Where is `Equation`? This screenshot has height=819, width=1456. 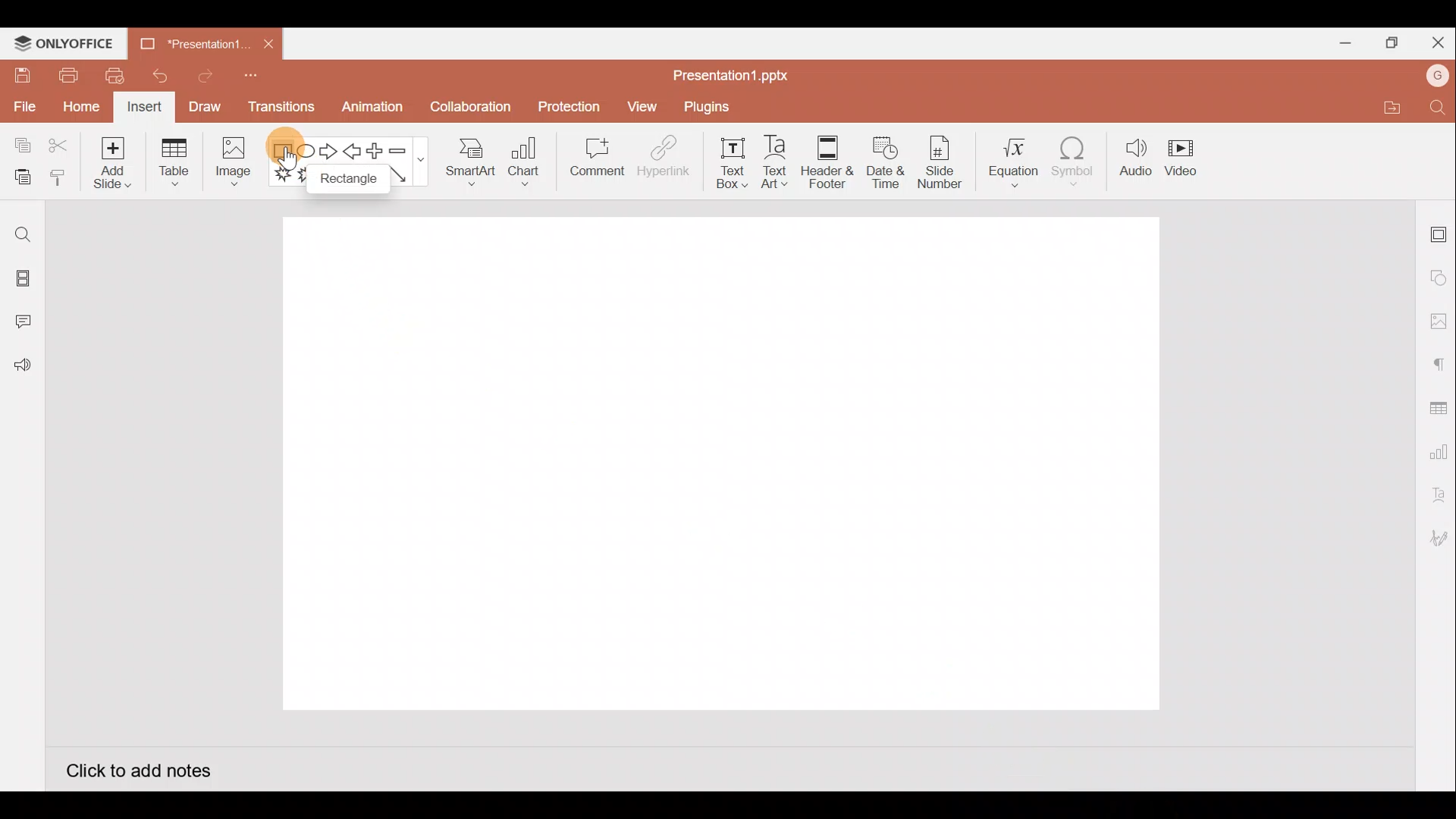 Equation is located at coordinates (1015, 157).